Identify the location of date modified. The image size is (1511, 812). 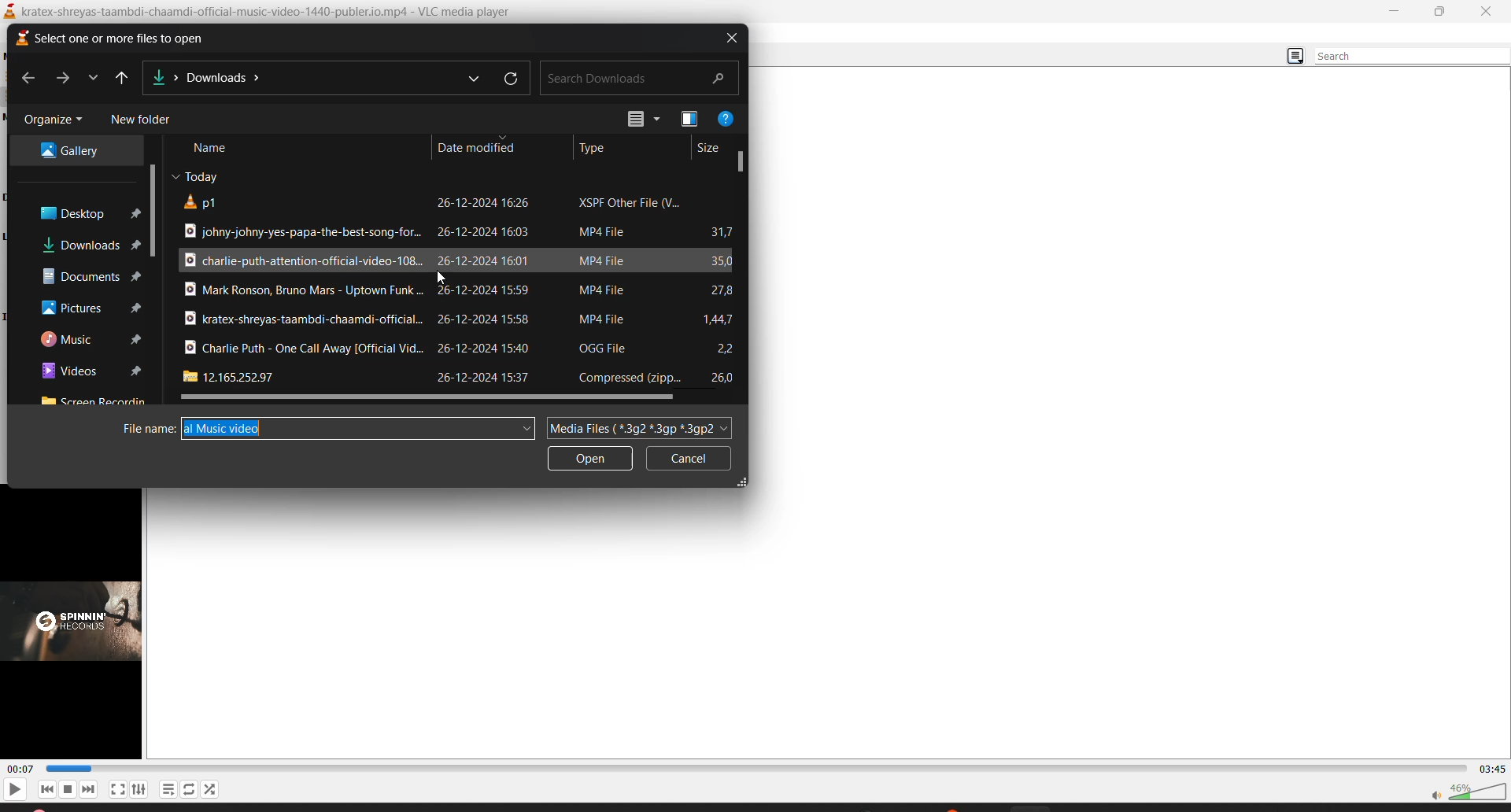
(492, 288).